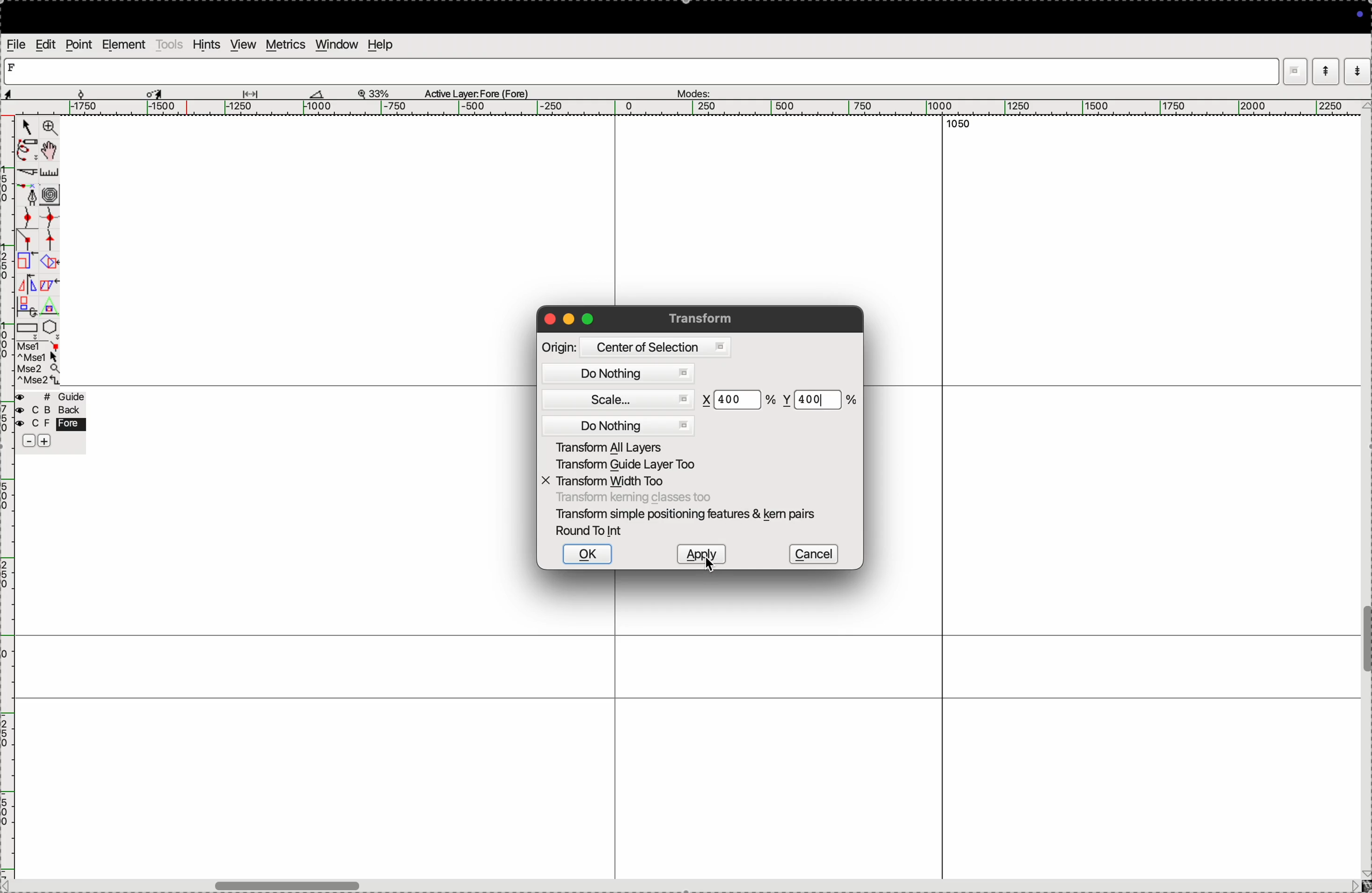 The image size is (1372, 893). Describe the element at coordinates (379, 44) in the screenshot. I see `help` at that location.